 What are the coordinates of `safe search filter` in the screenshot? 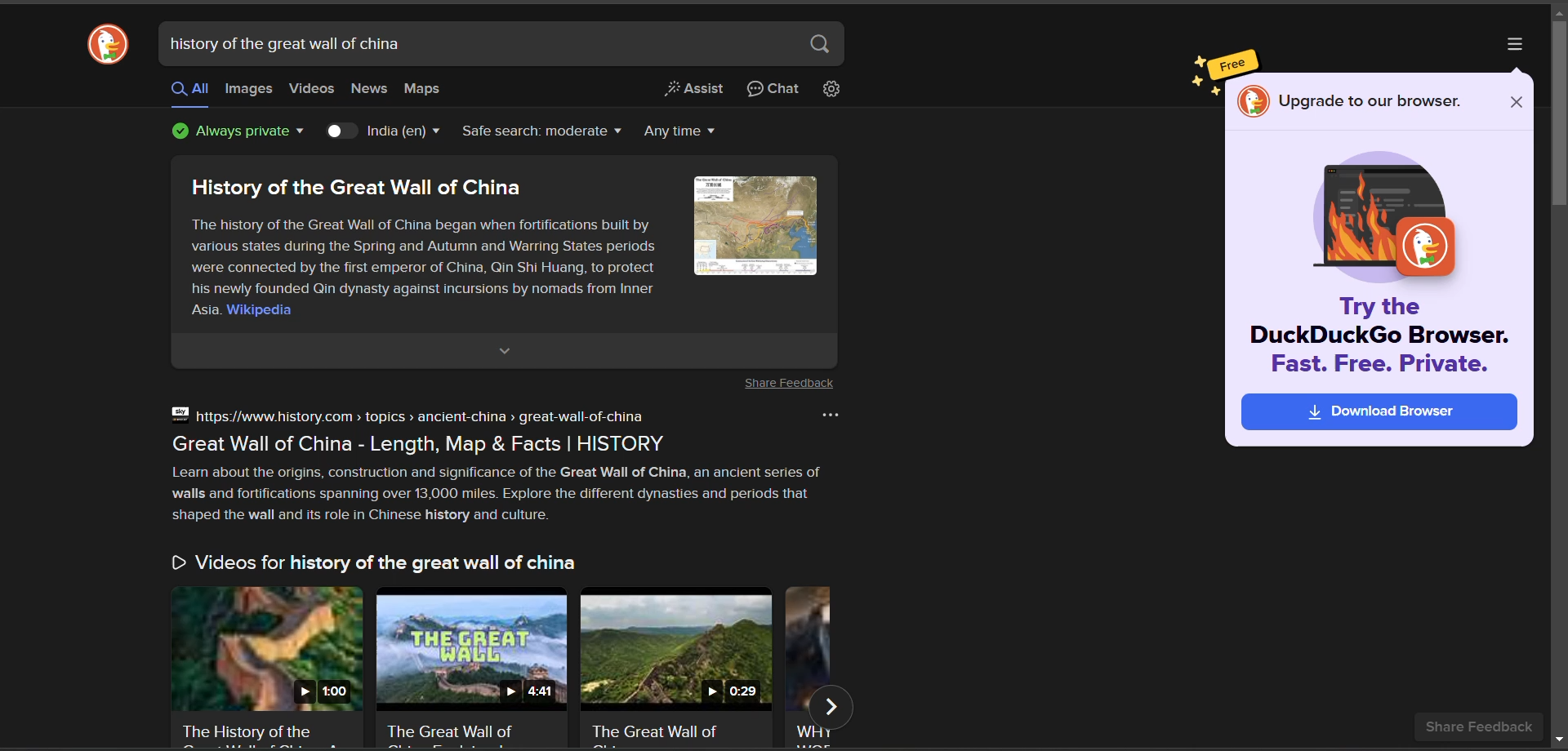 It's located at (545, 132).